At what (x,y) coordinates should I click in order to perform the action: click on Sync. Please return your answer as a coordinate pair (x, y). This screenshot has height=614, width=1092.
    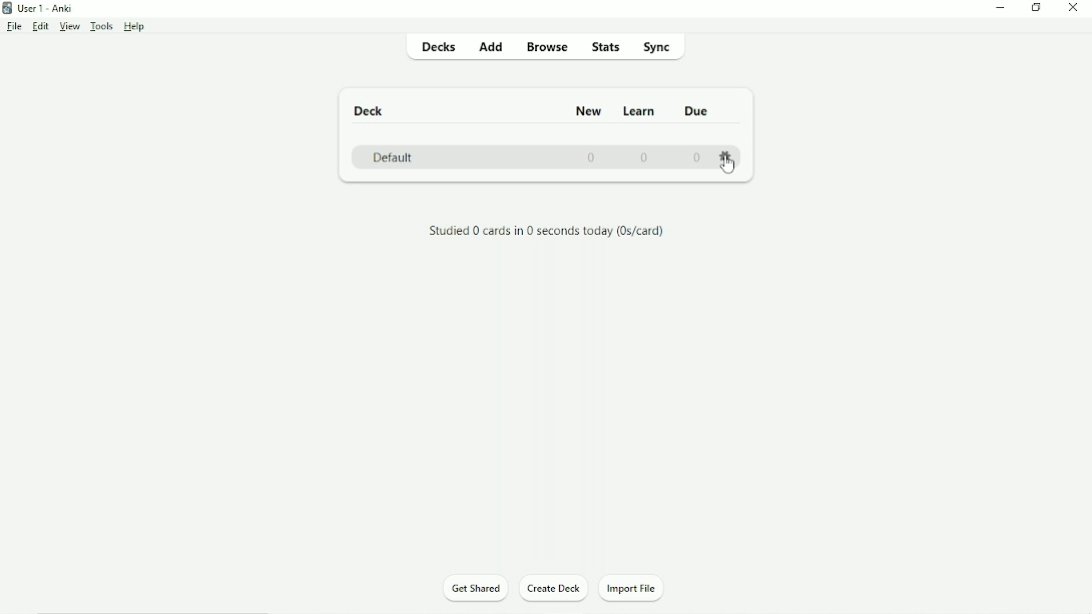
    Looking at the image, I should click on (660, 48).